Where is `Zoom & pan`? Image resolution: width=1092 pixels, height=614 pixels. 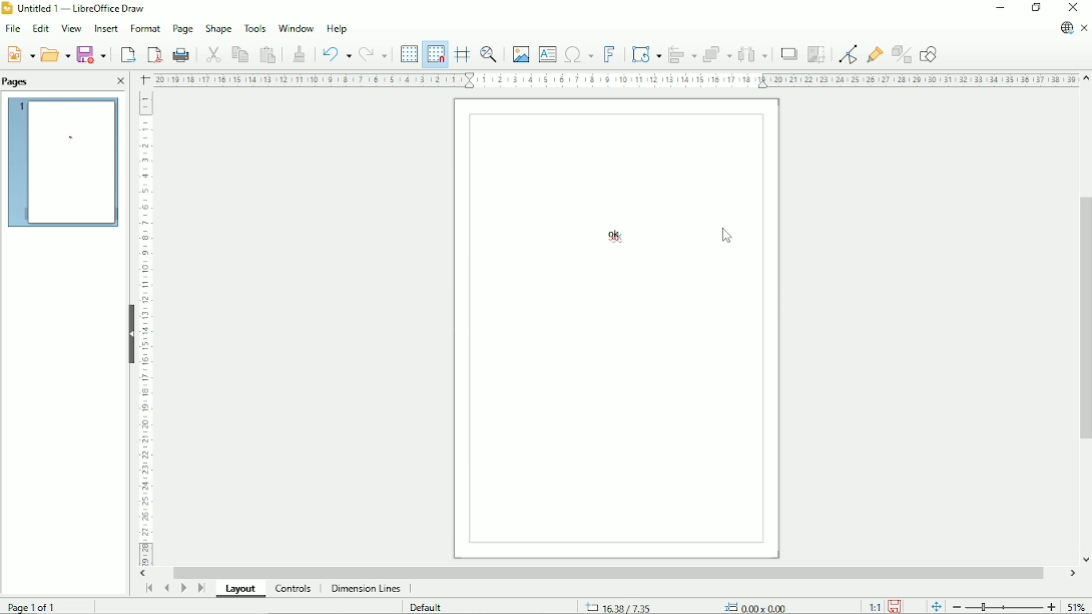
Zoom & pan is located at coordinates (487, 53).